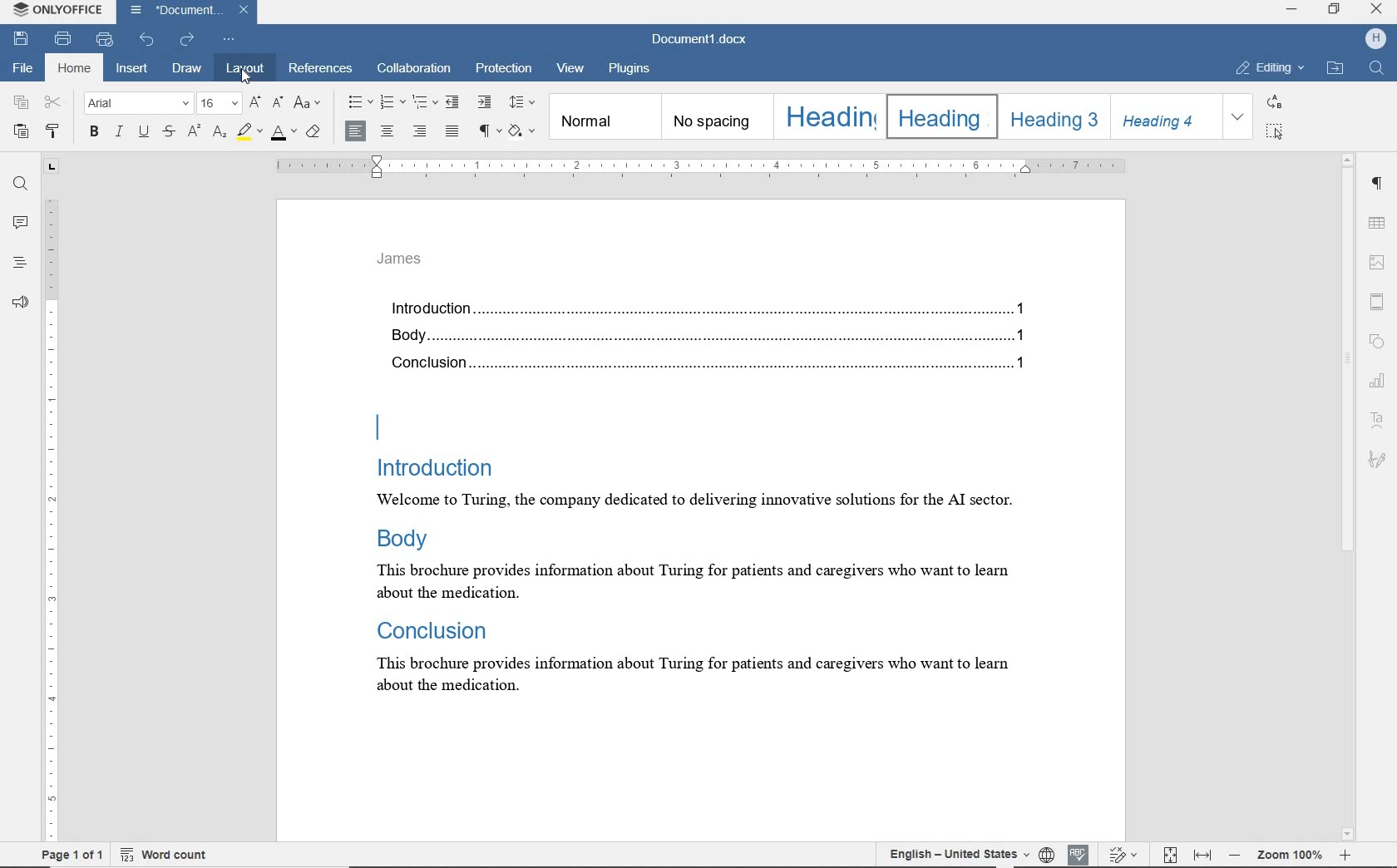 The width and height of the screenshot is (1397, 868). What do you see at coordinates (120, 130) in the screenshot?
I see `italic` at bounding box center [120, 130].